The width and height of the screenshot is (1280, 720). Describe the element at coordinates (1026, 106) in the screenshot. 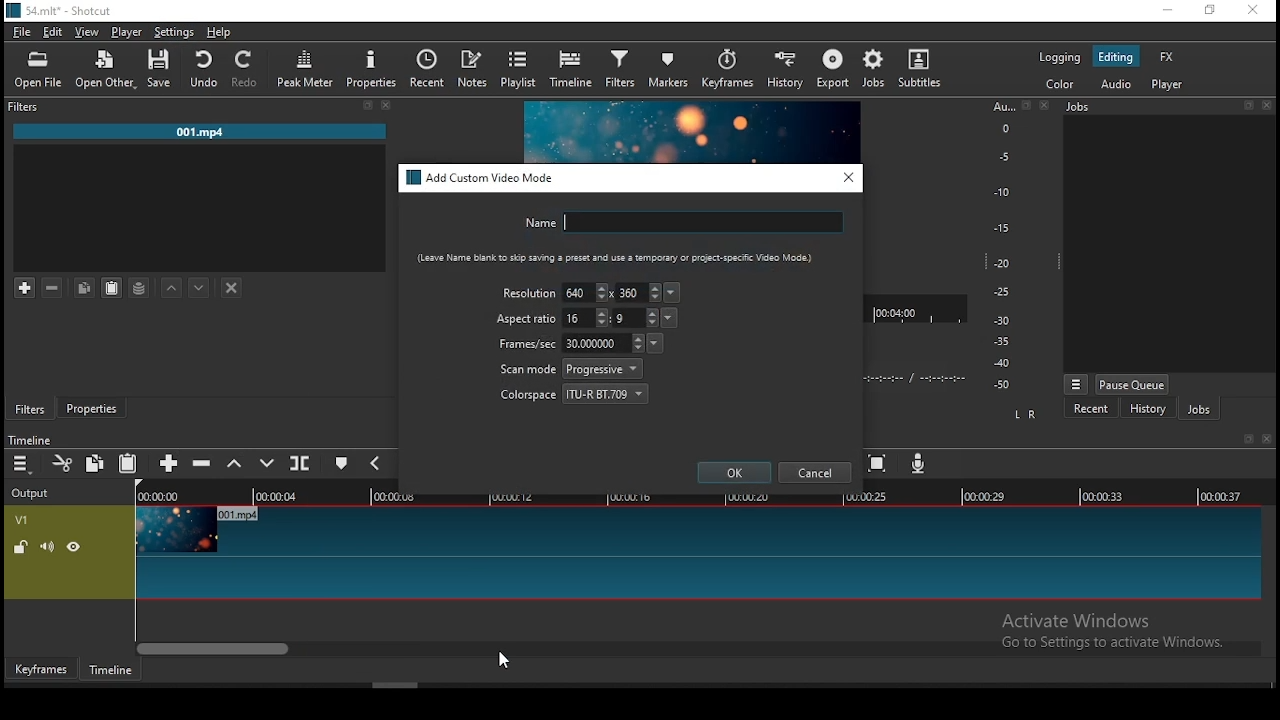

I see `restore` at that location.